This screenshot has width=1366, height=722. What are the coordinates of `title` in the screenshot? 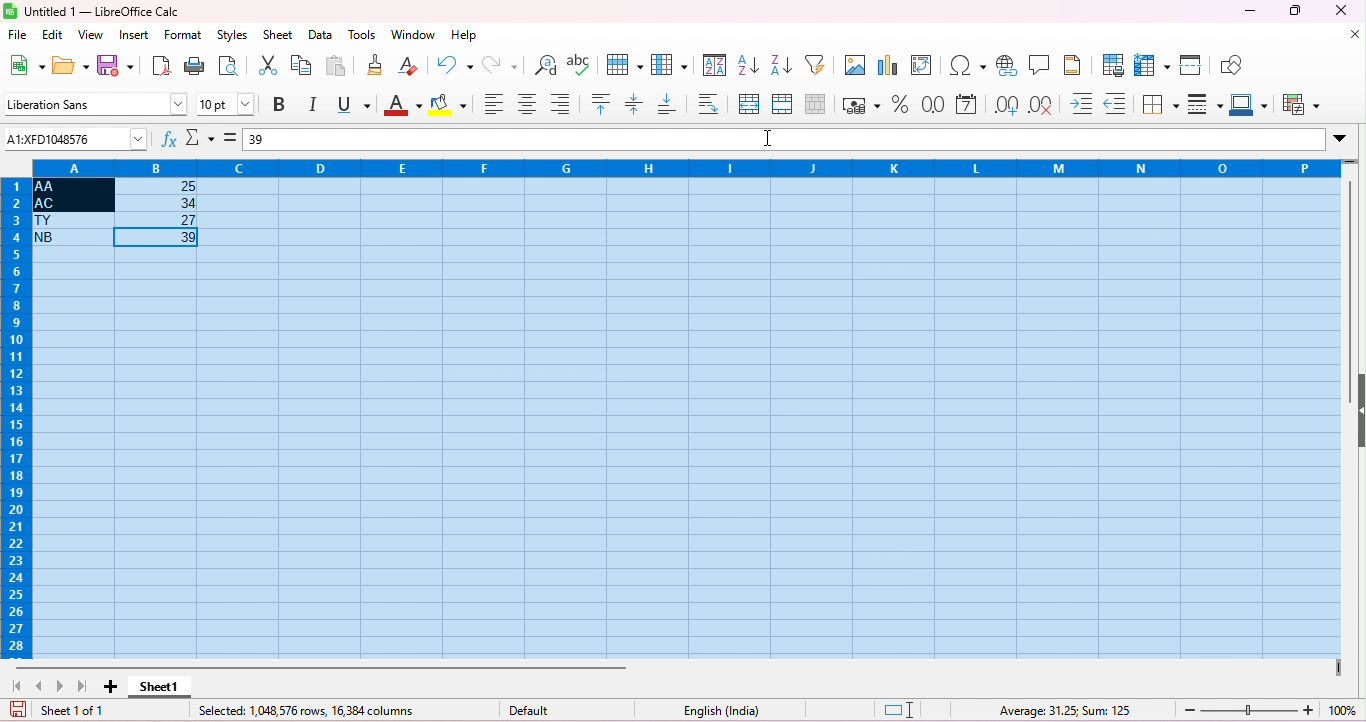 It's located at (92, 12).